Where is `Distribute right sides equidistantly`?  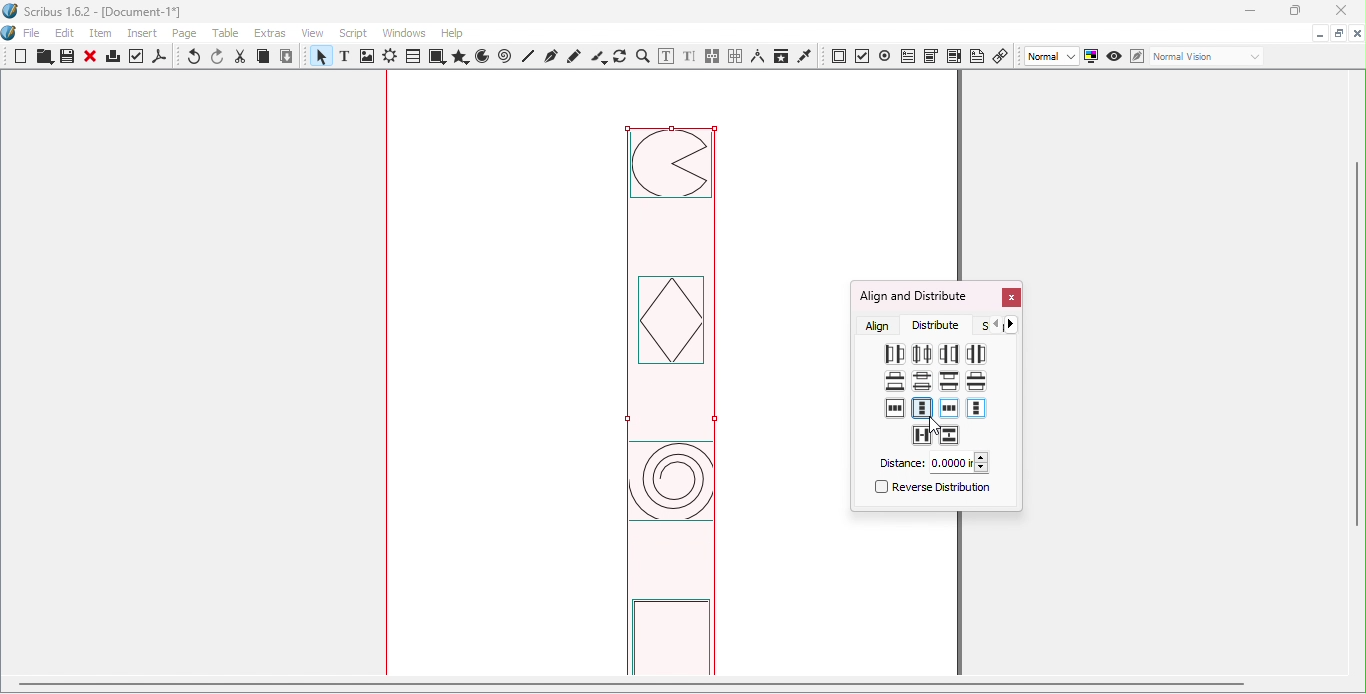
Distribute right sides equidistantly is located at coordinates (948, 353).